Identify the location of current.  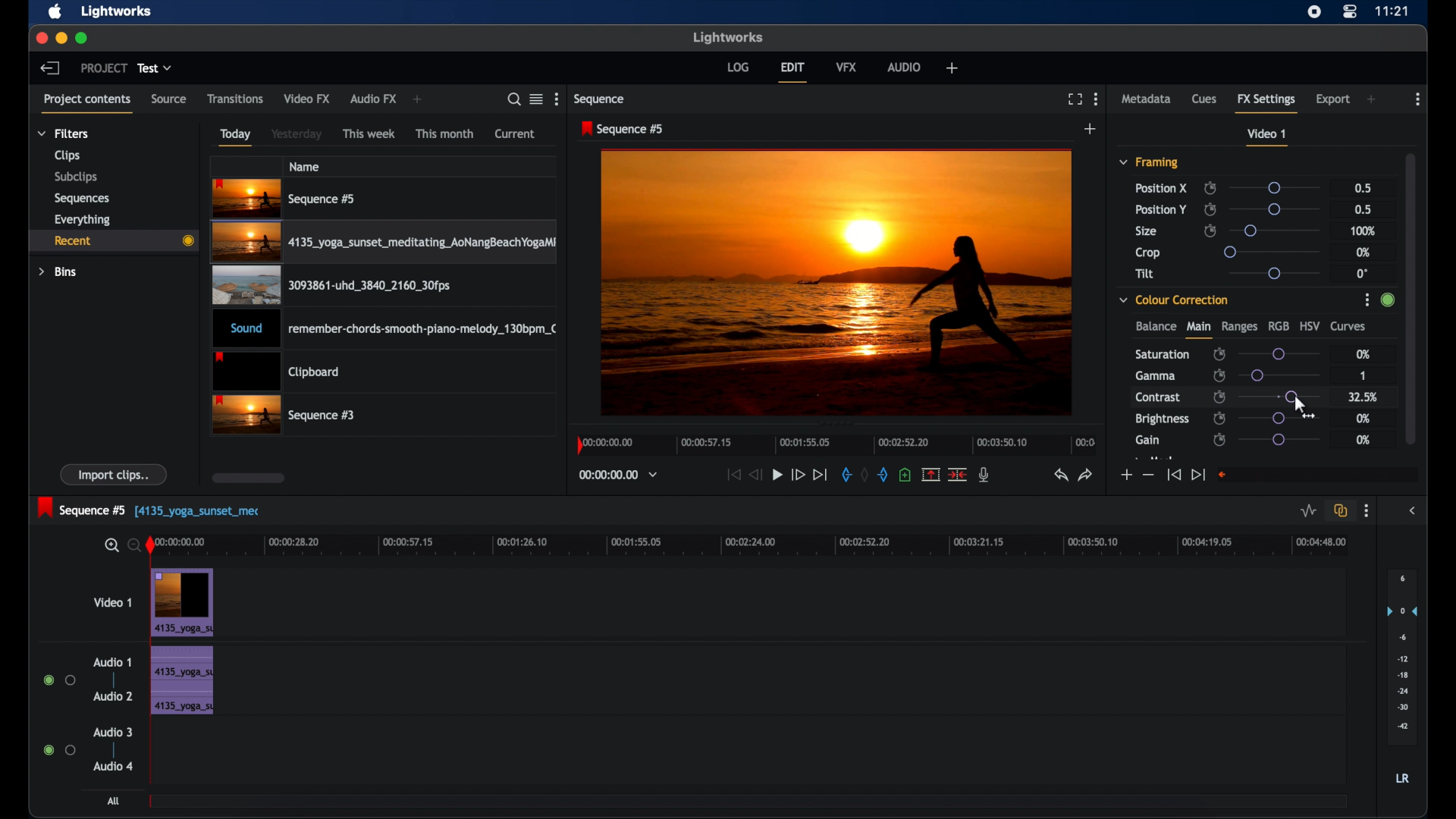
(515, 133).